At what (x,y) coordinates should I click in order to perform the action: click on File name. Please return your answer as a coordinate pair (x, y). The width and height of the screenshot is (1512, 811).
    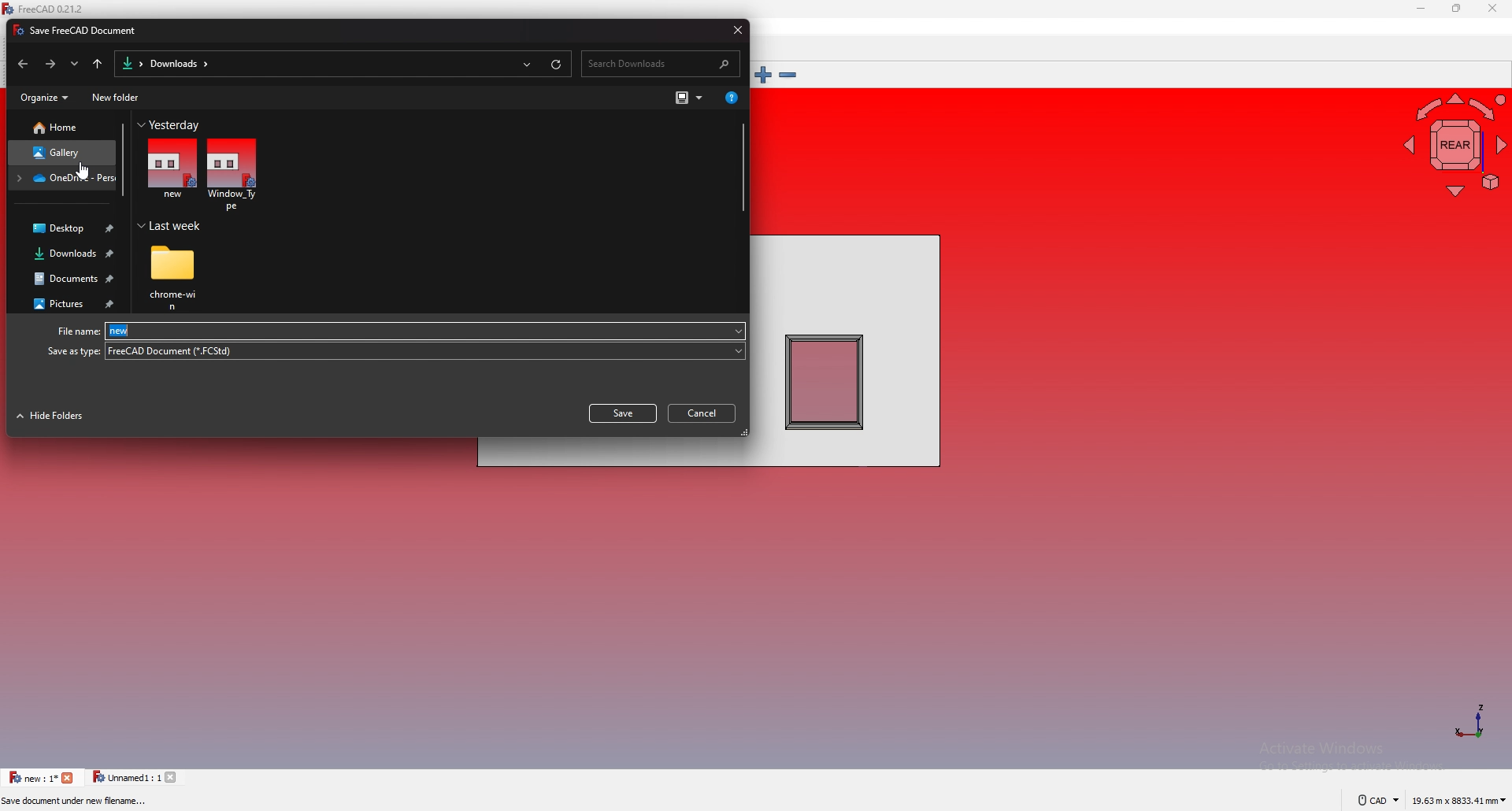
    Looking at the image, I should click on (74, 331).